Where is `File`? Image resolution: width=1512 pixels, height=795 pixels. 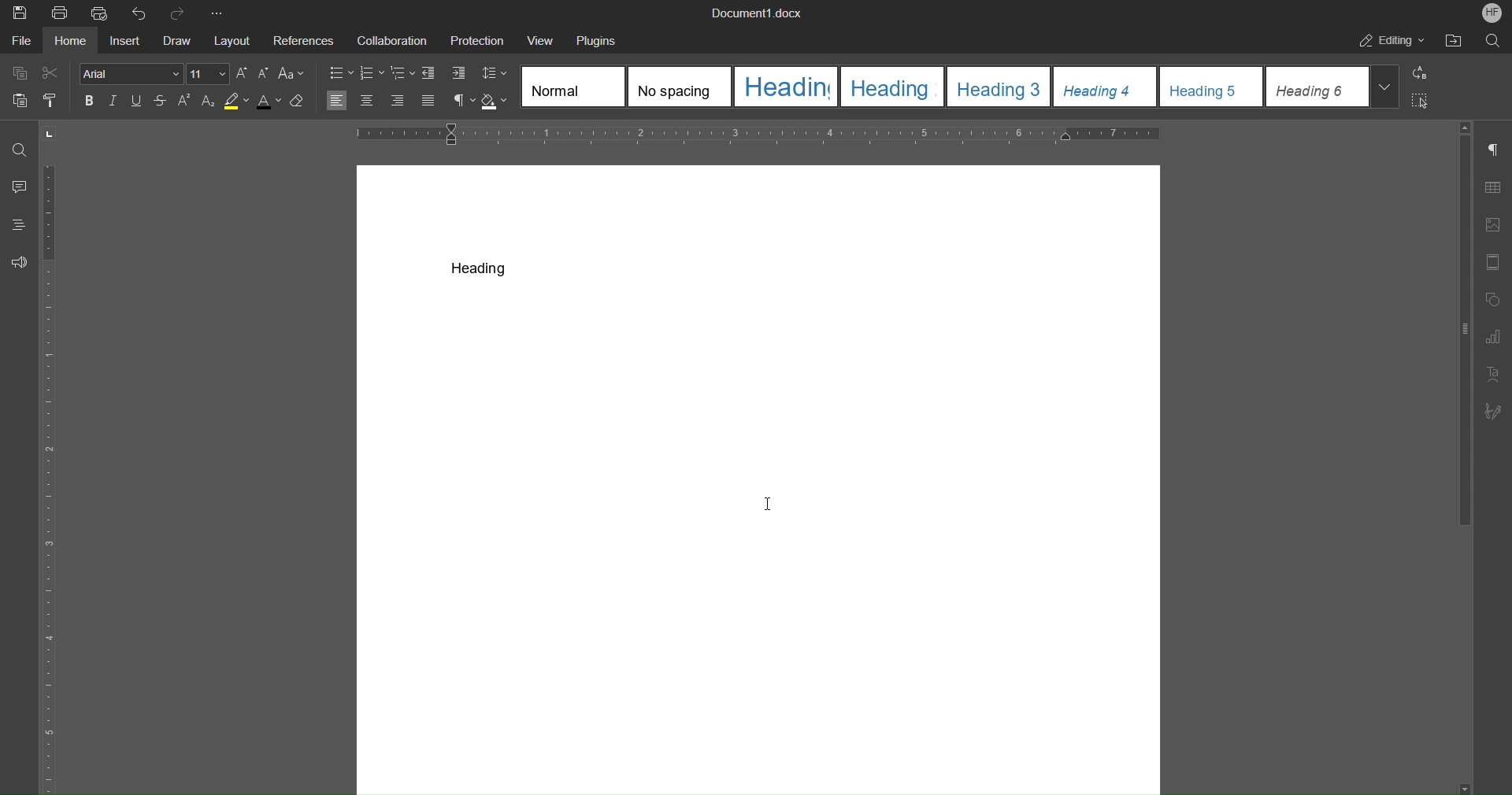
File is located at coordinates (20, 42).